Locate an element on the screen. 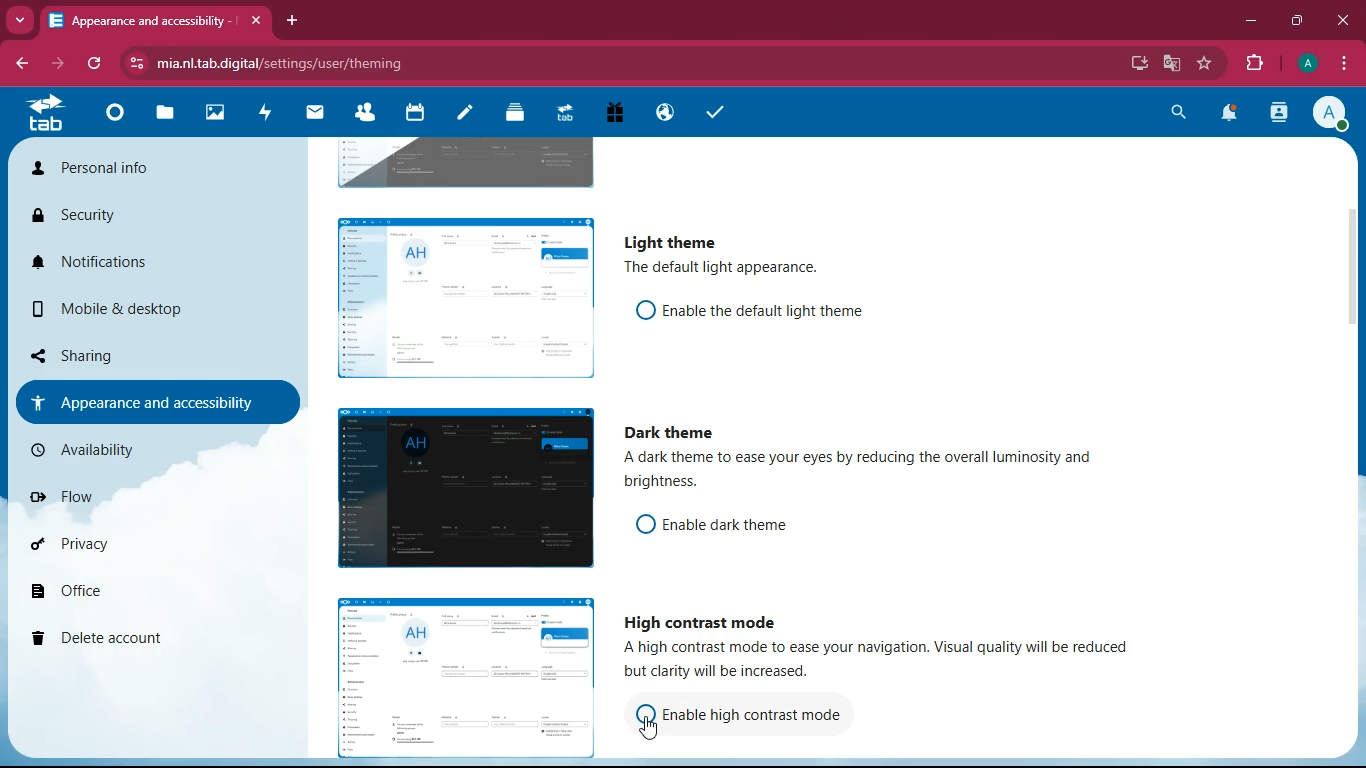 The width and height of the screenshot is (1366, 768). enable high contrast mode is located at coordinates (761, 714).